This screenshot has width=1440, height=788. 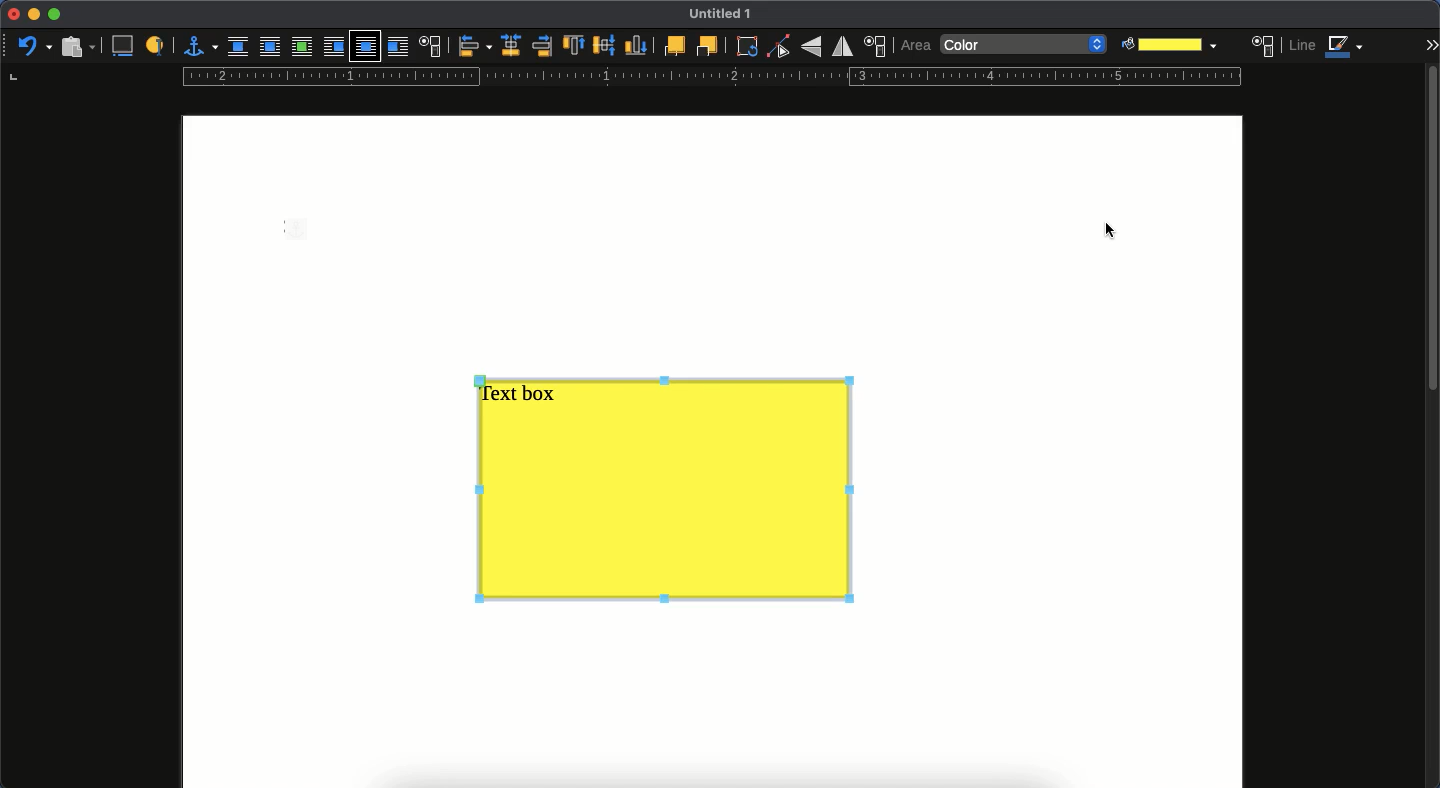 I want to click on align objects, so click(x=474, y=47).